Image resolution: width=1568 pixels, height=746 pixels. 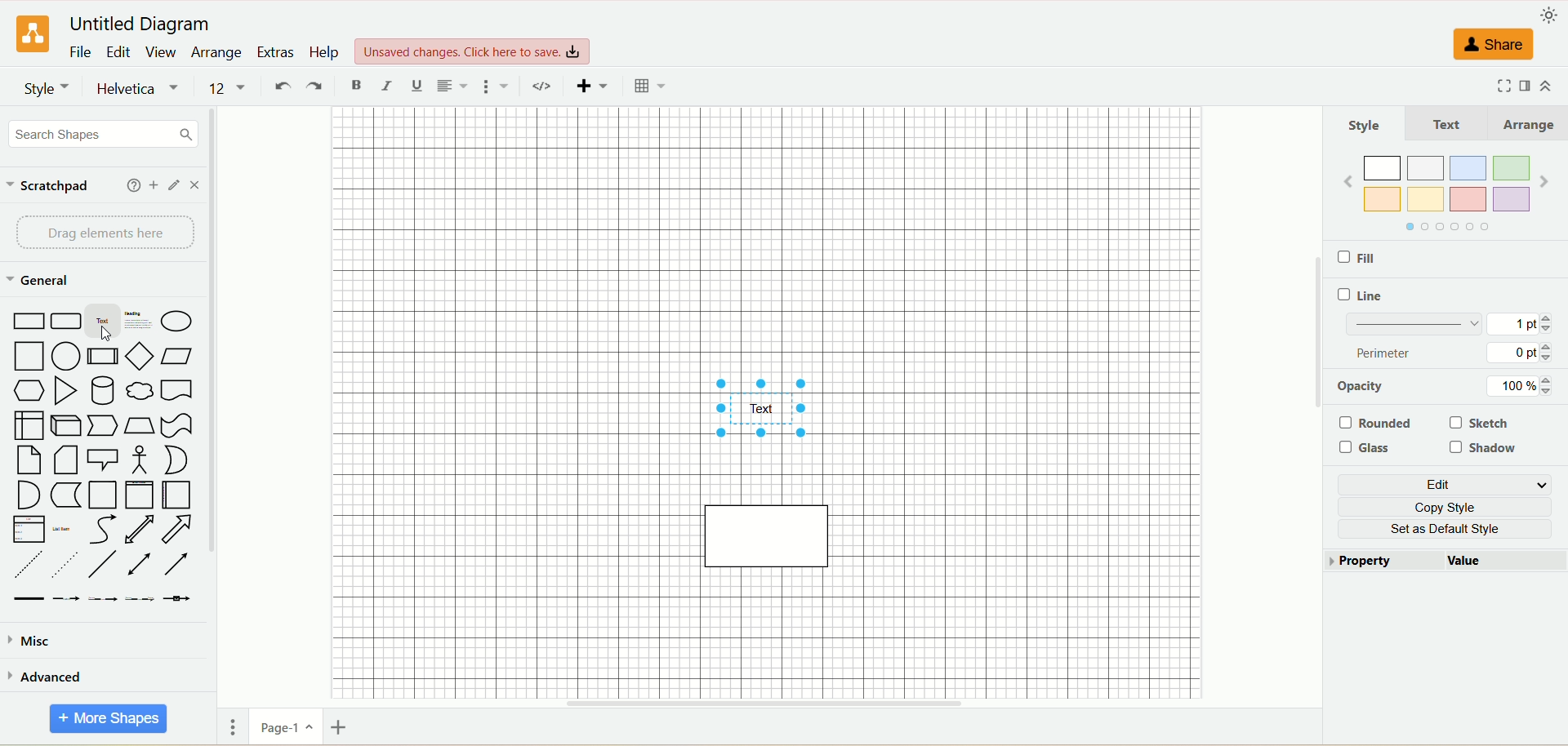 I want to click on add, so click(x=153, y=186).